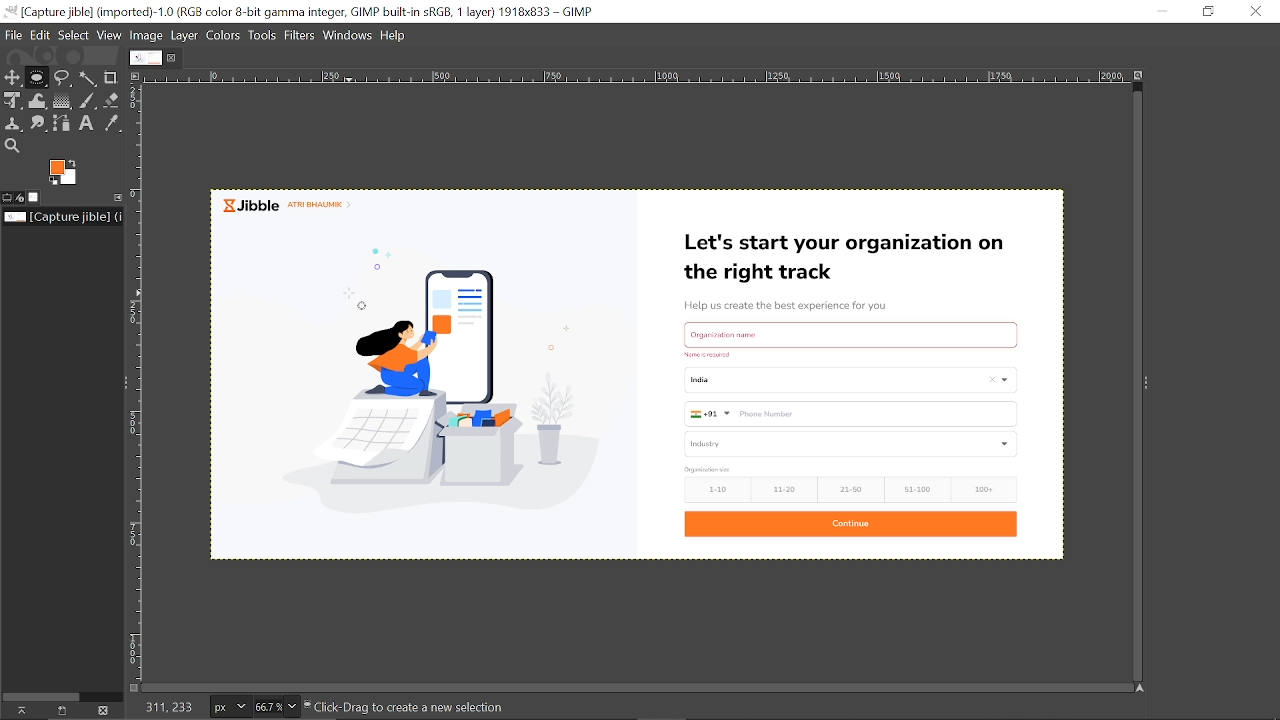  I want to click on Zoom image when window size change, so click(1136, 76).